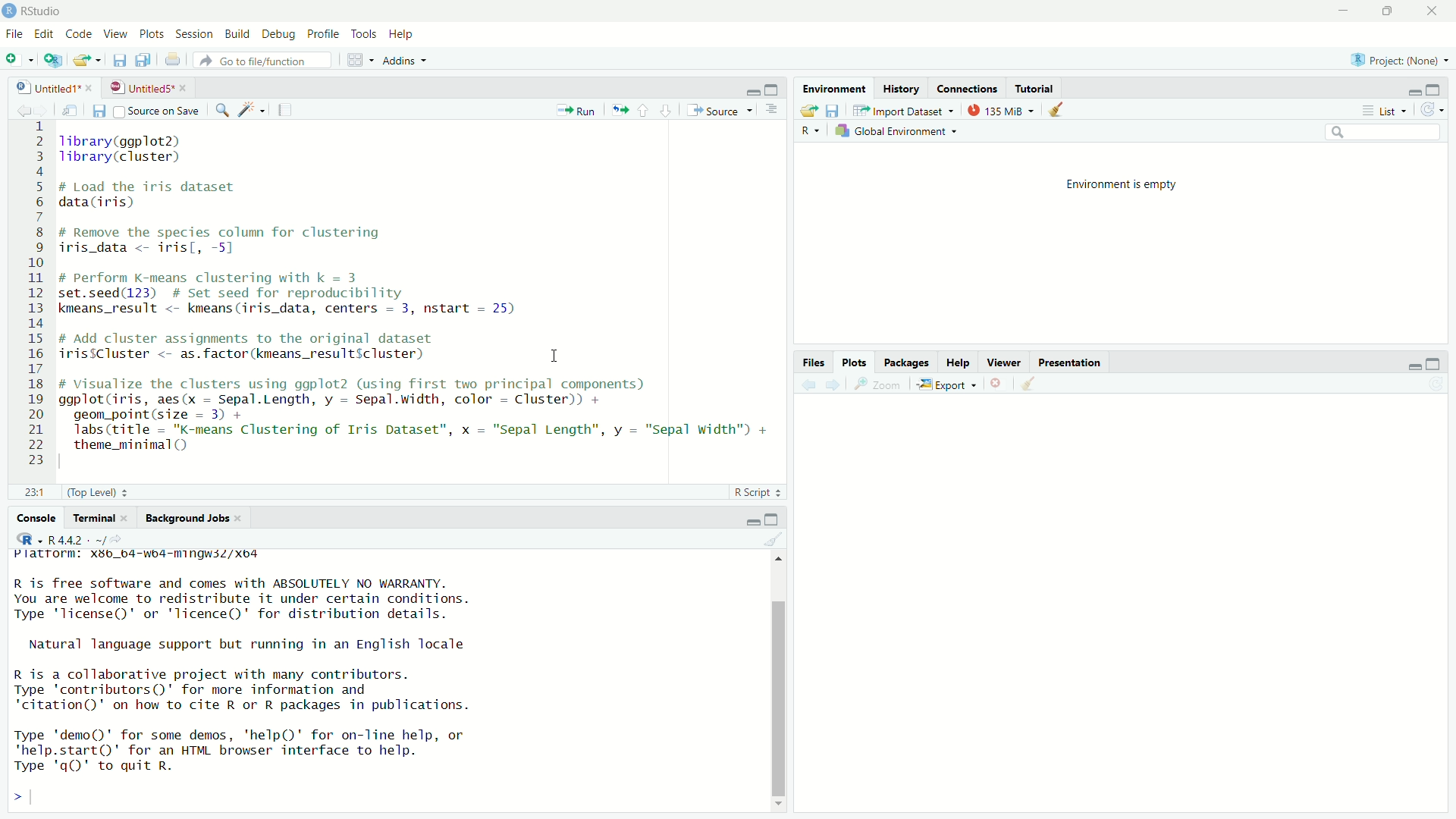 The image size is (1456, 819). What do you see at coordinates (23, 540) in the screenshot?
I see `select language` at bounding box center [23, 540].